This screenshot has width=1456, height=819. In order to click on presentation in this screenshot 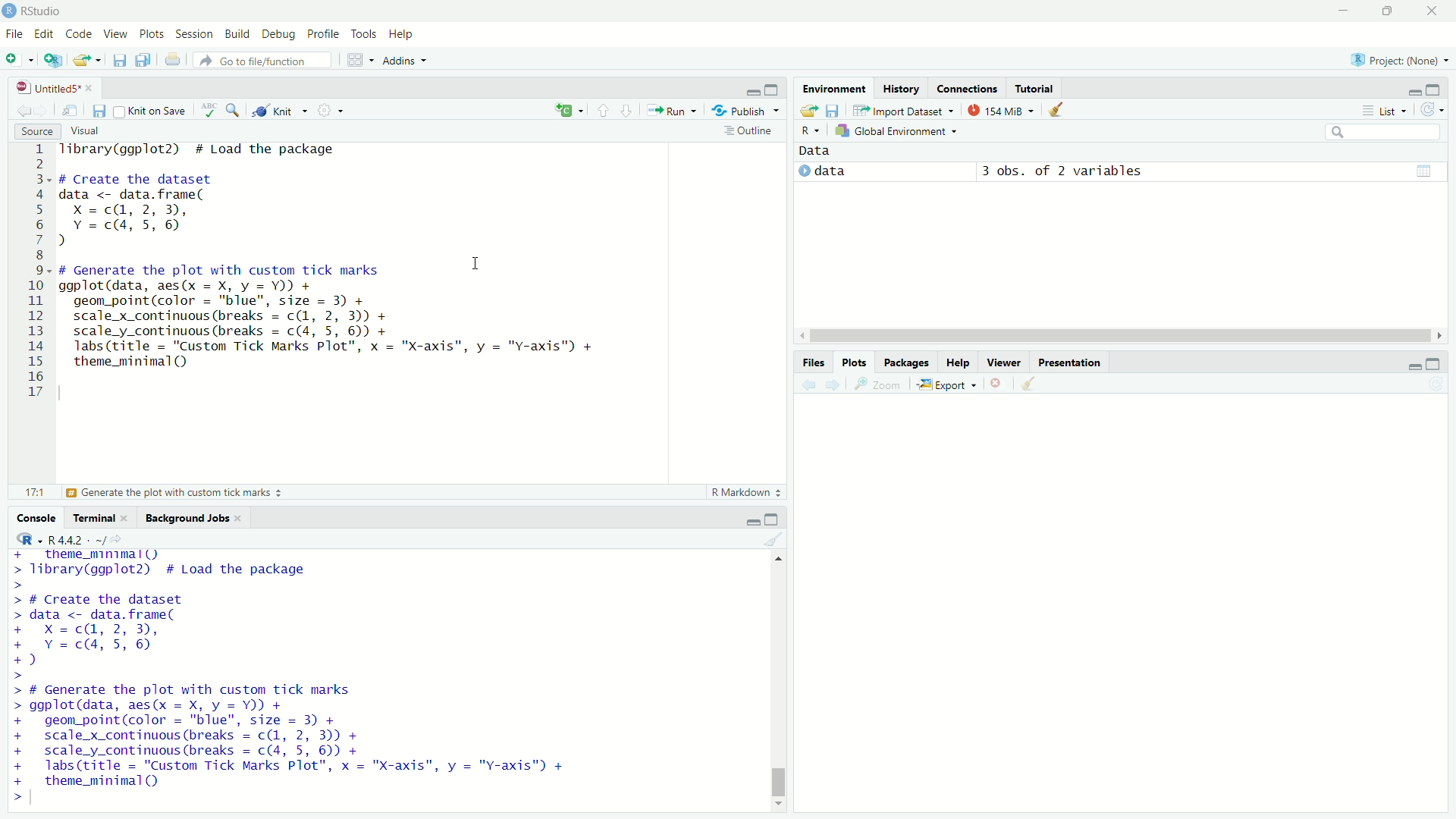, I will do `click(1069, 361)`.